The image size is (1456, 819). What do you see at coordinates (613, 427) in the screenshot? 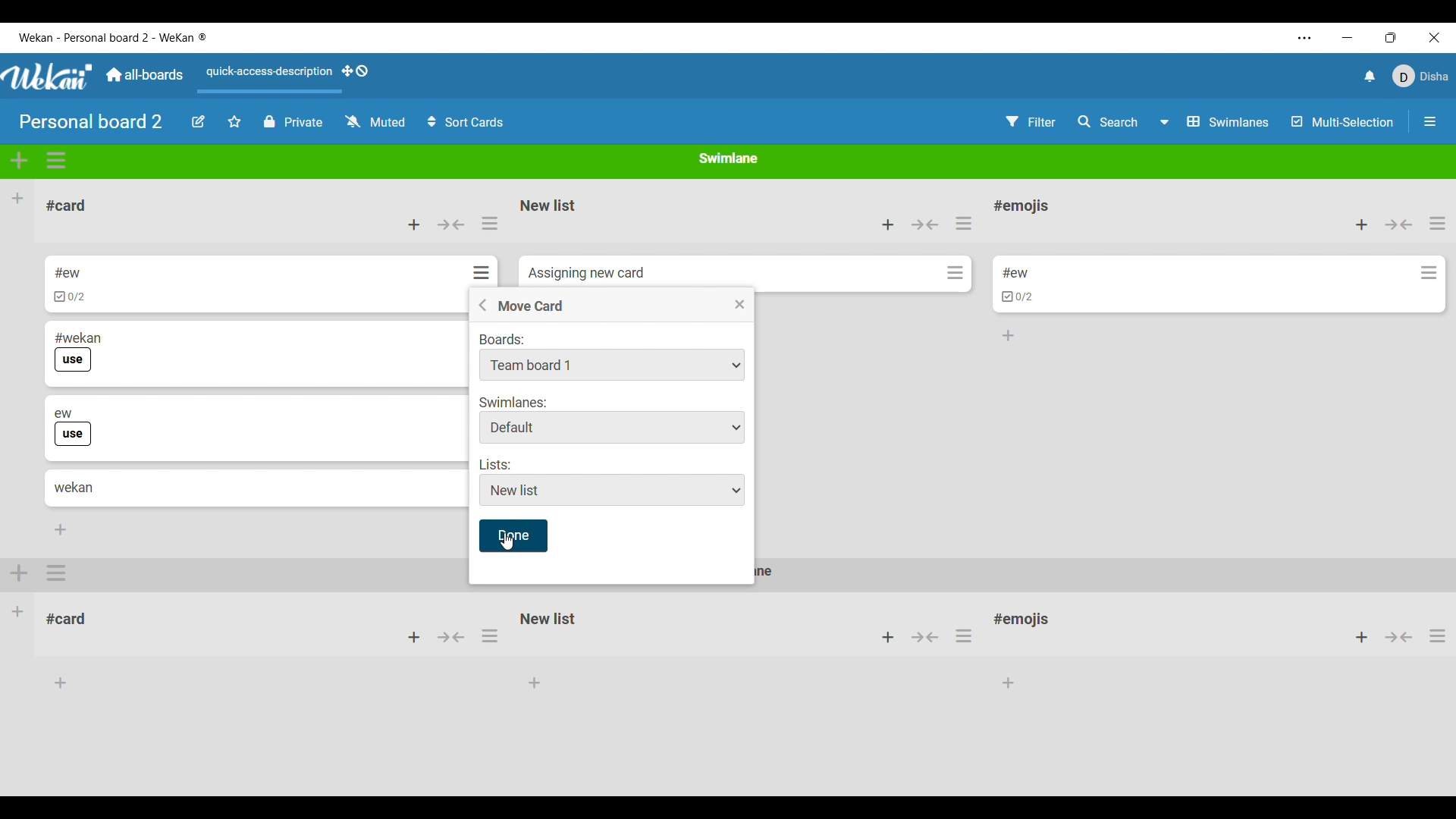
I see `Selected options changed due to change in Boards option` at bounding box center [613, 427].